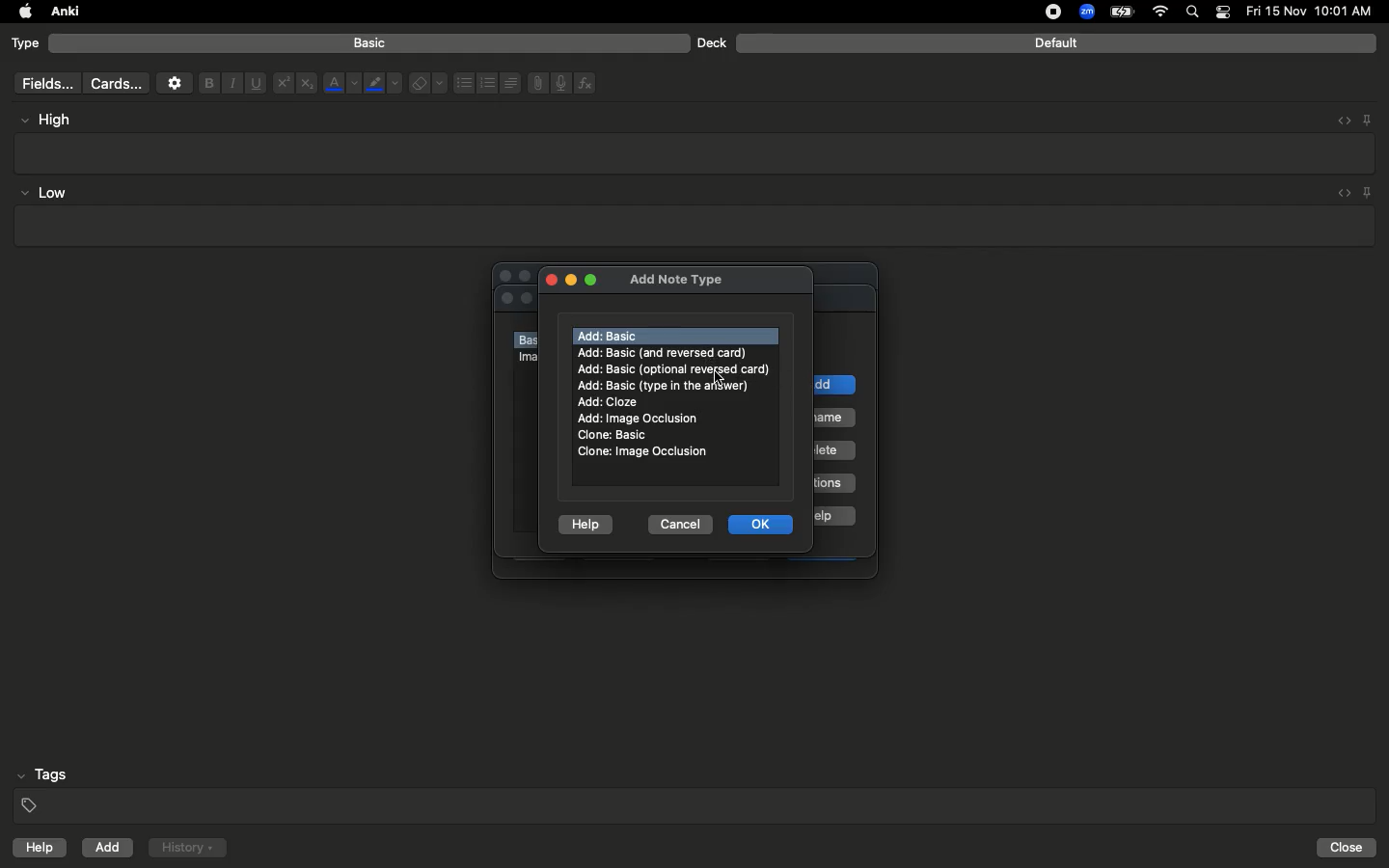 The width and height of the screenshot is (1389, 868). Describe the element at coordinates (696, 791) in the screenshot. I see `Tags` at that location.